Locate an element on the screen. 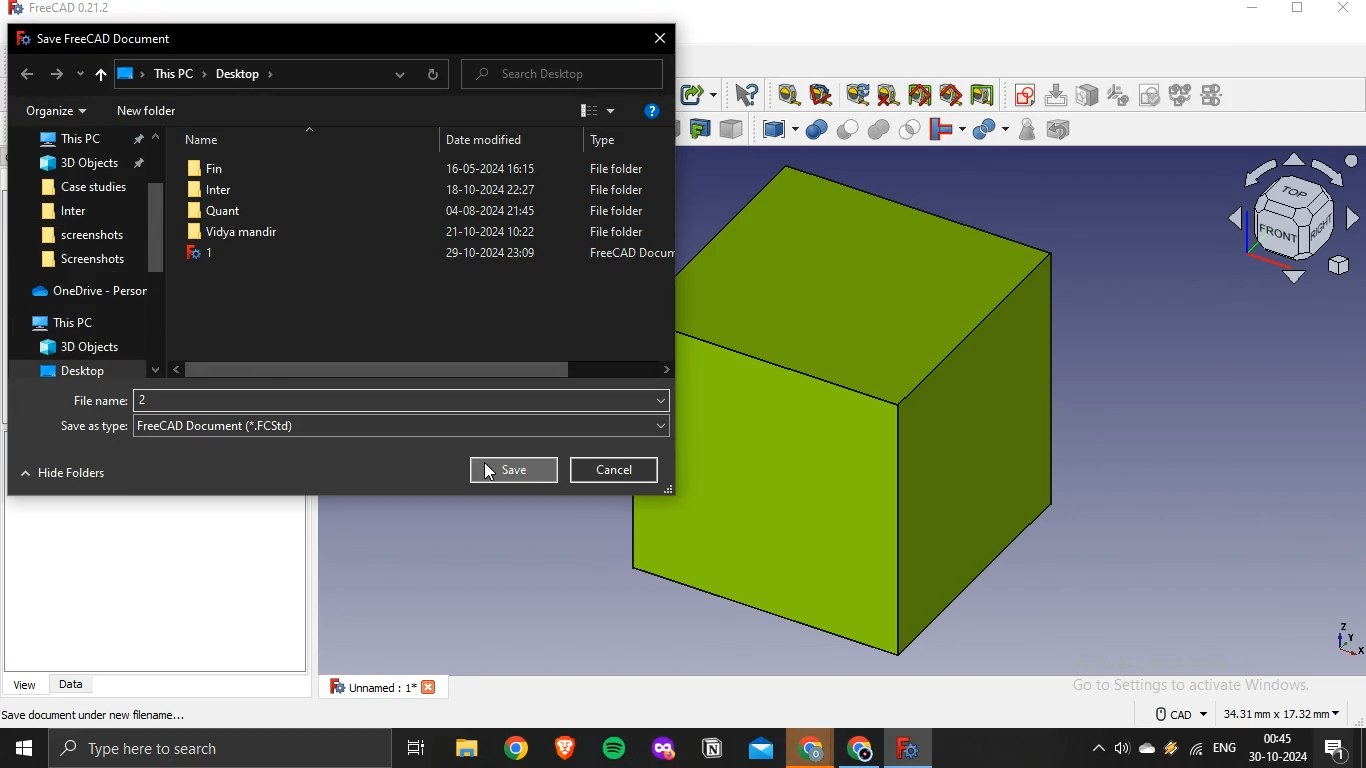  outlook is located at coordinates (762, 748).